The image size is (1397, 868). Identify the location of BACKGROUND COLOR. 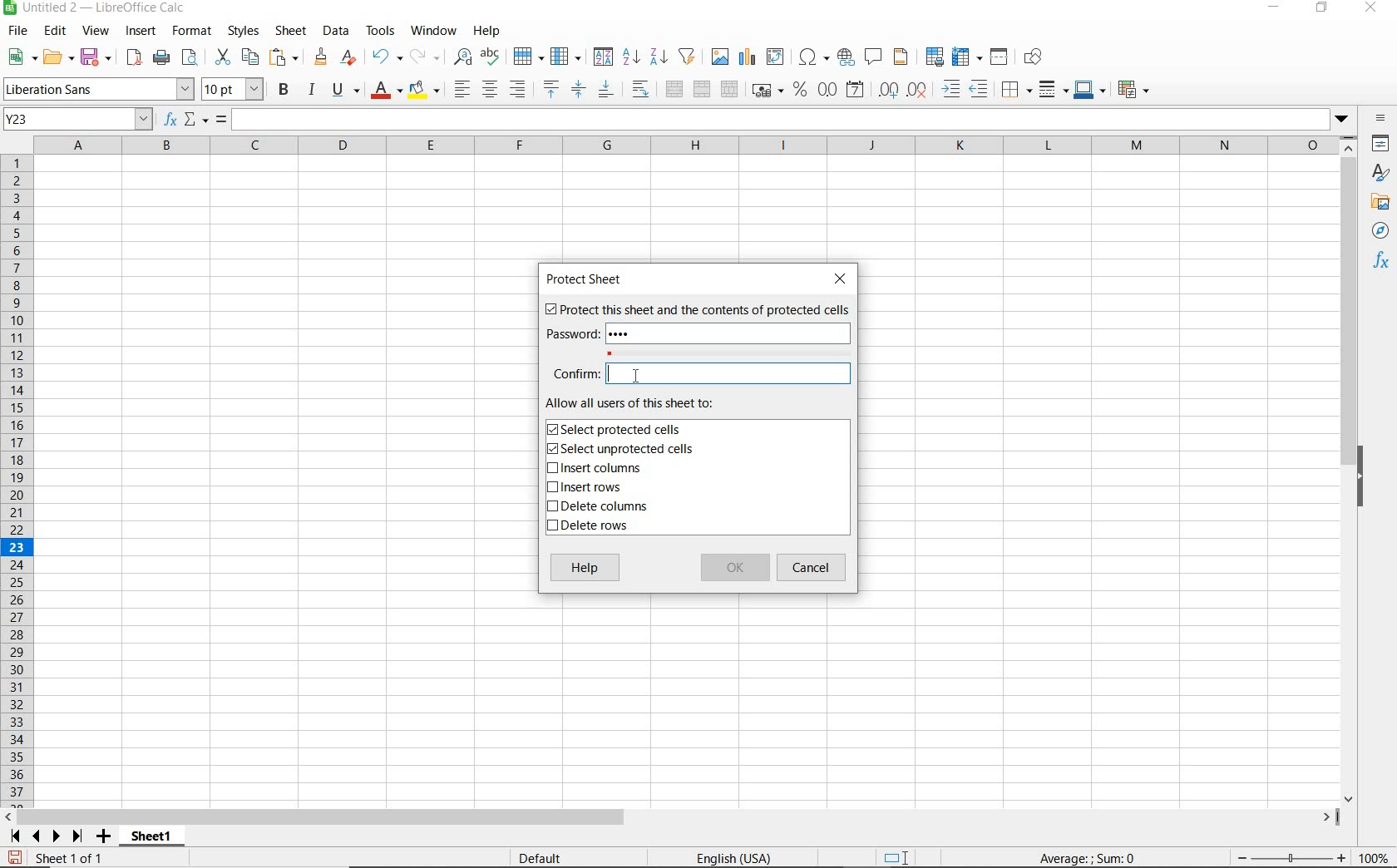
(424, 89).